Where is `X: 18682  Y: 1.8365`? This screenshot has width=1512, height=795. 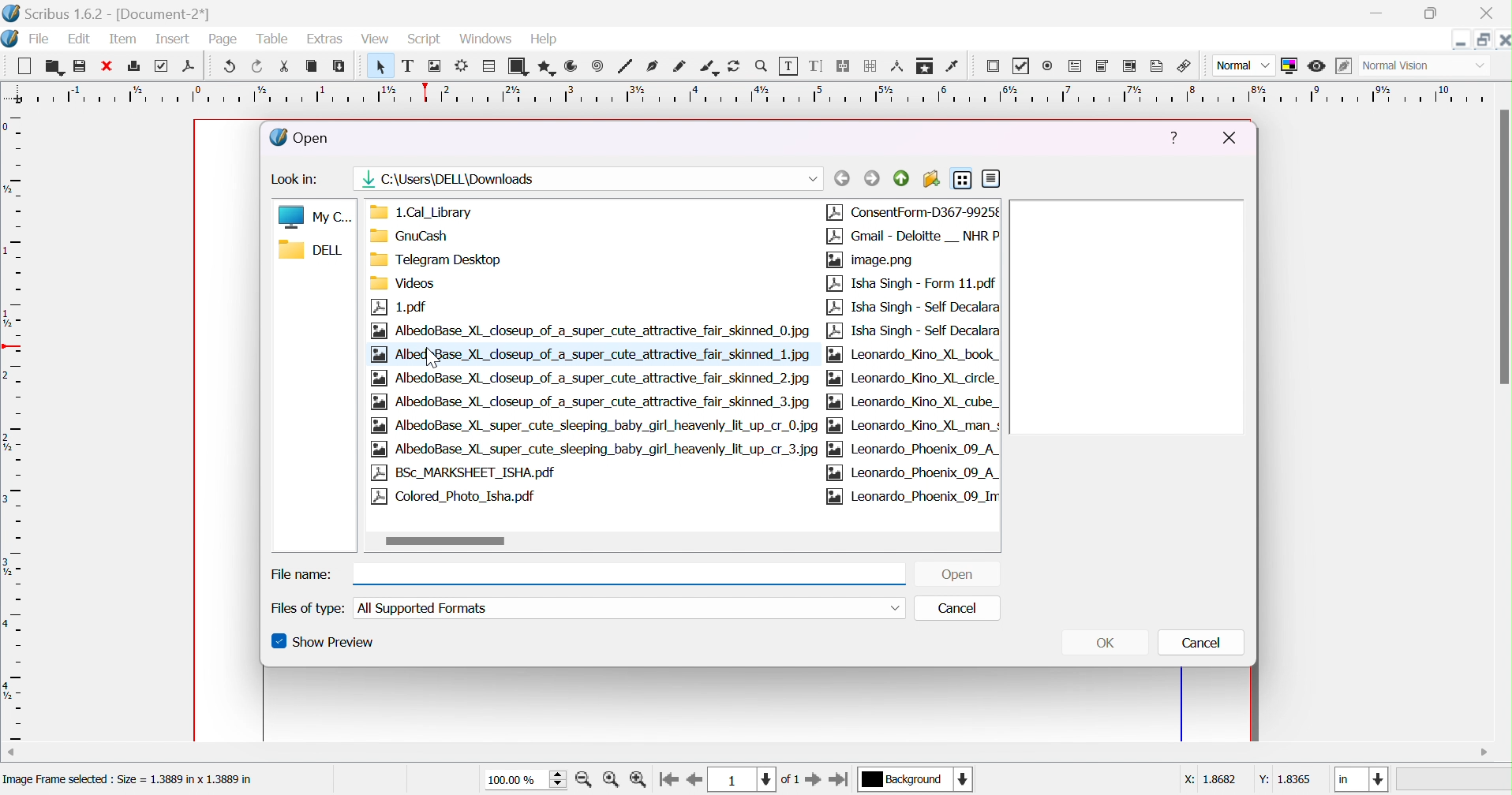
X: 18682  Y: 1.8365 is located at coordinates (1238, 778).